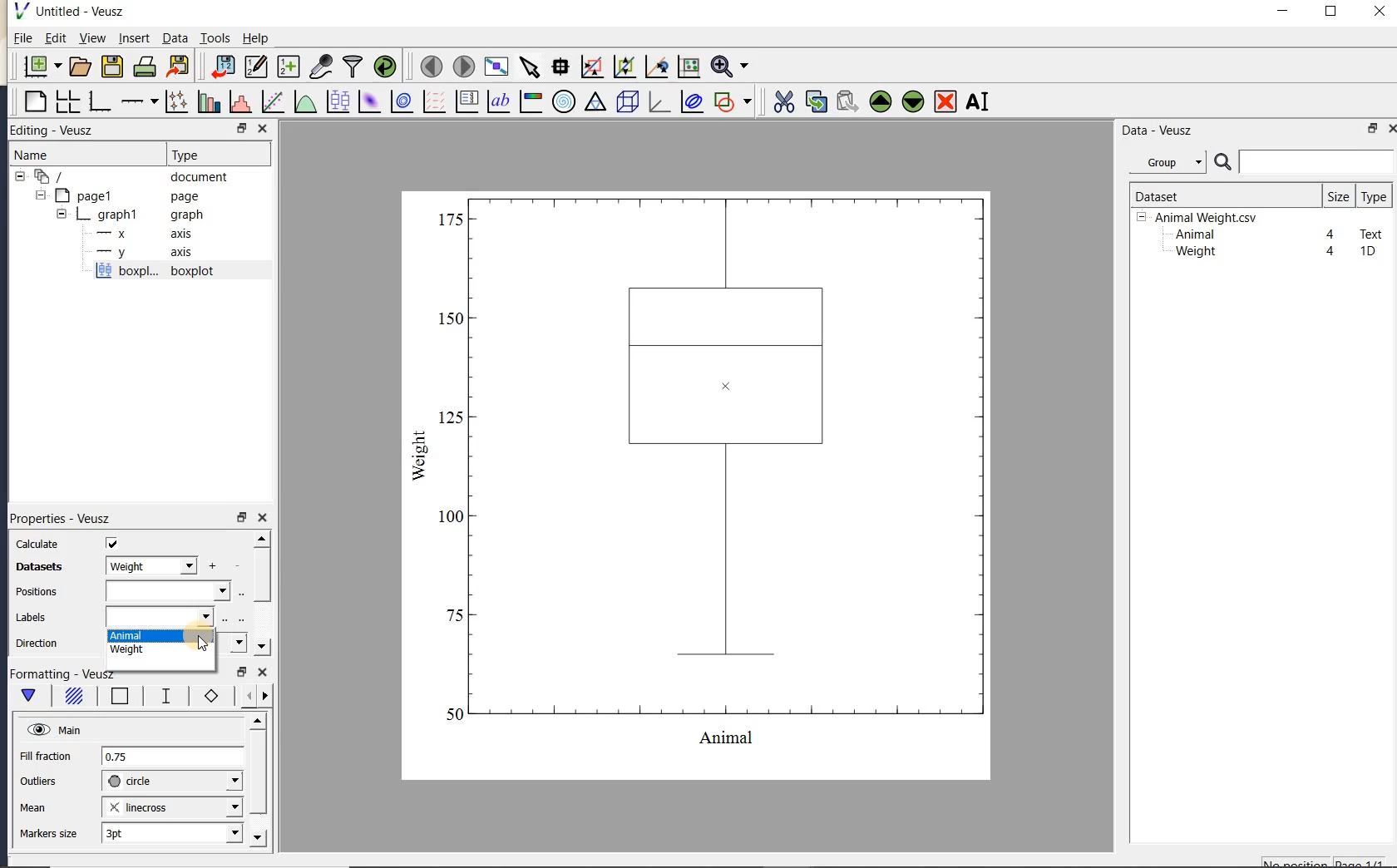  I want to click on close, so click(263, 519).